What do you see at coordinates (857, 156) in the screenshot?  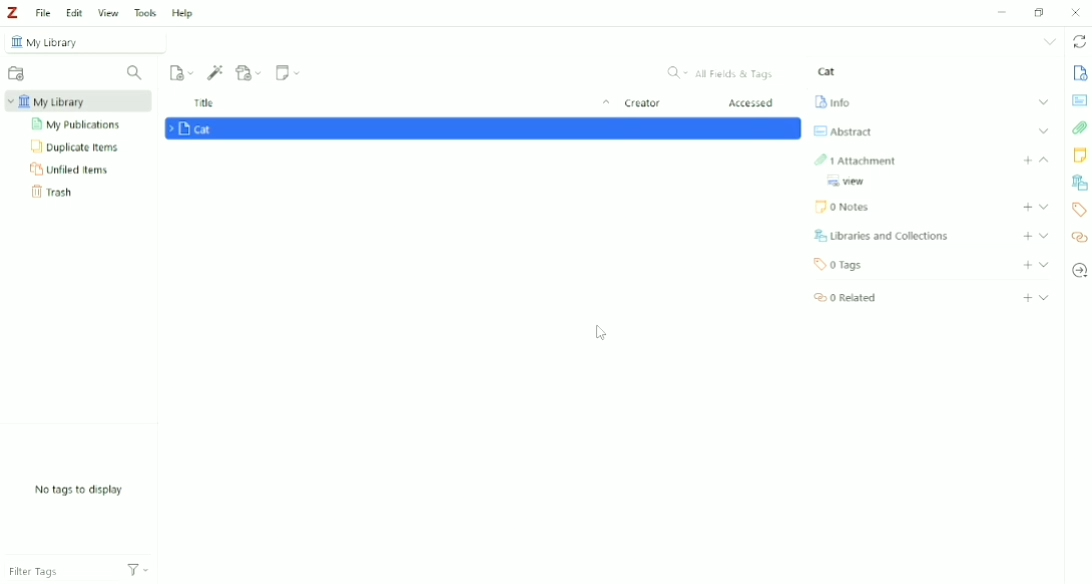 I see `Attachments` at bounding box center [857, 156].